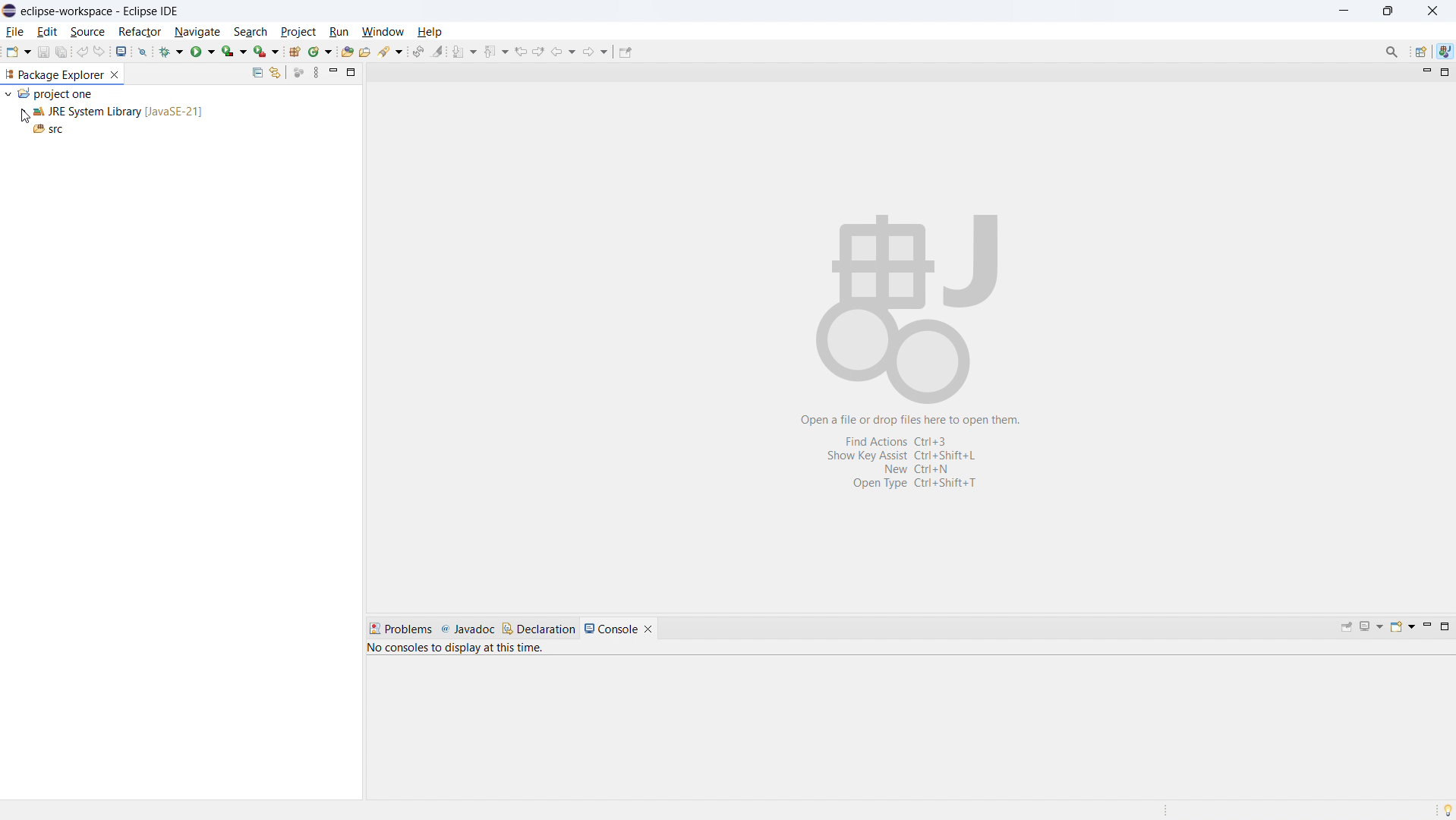  Describe the element at coordinates (351, 72) in the screenshot. I see `maximize` at that location.